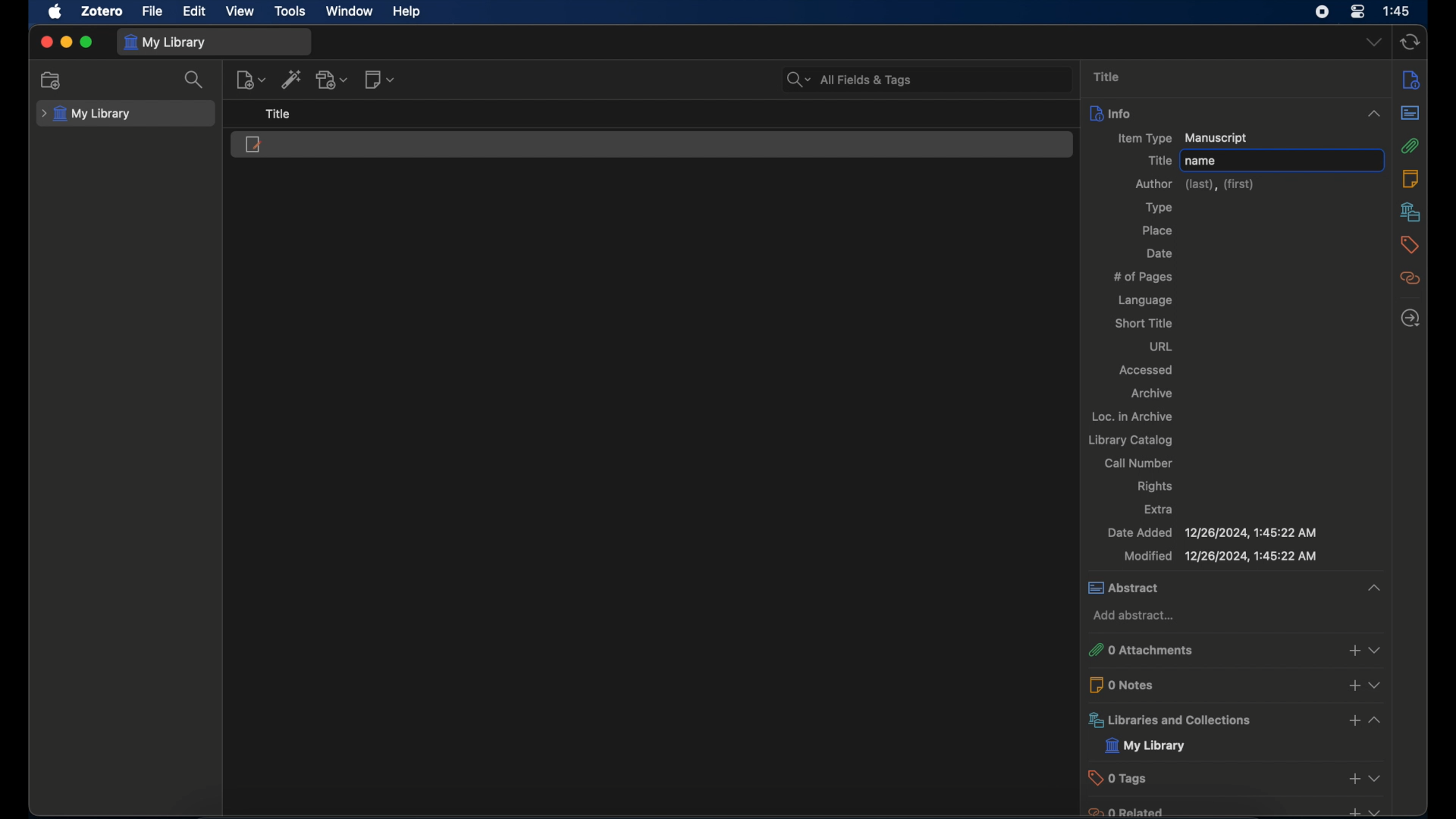 Image resolution: width=1456 pixels, height=819 pixels. What do you see at coordinates (1410, 80) in the screenshot?
I see `info` at bounding box center [1410, 80].